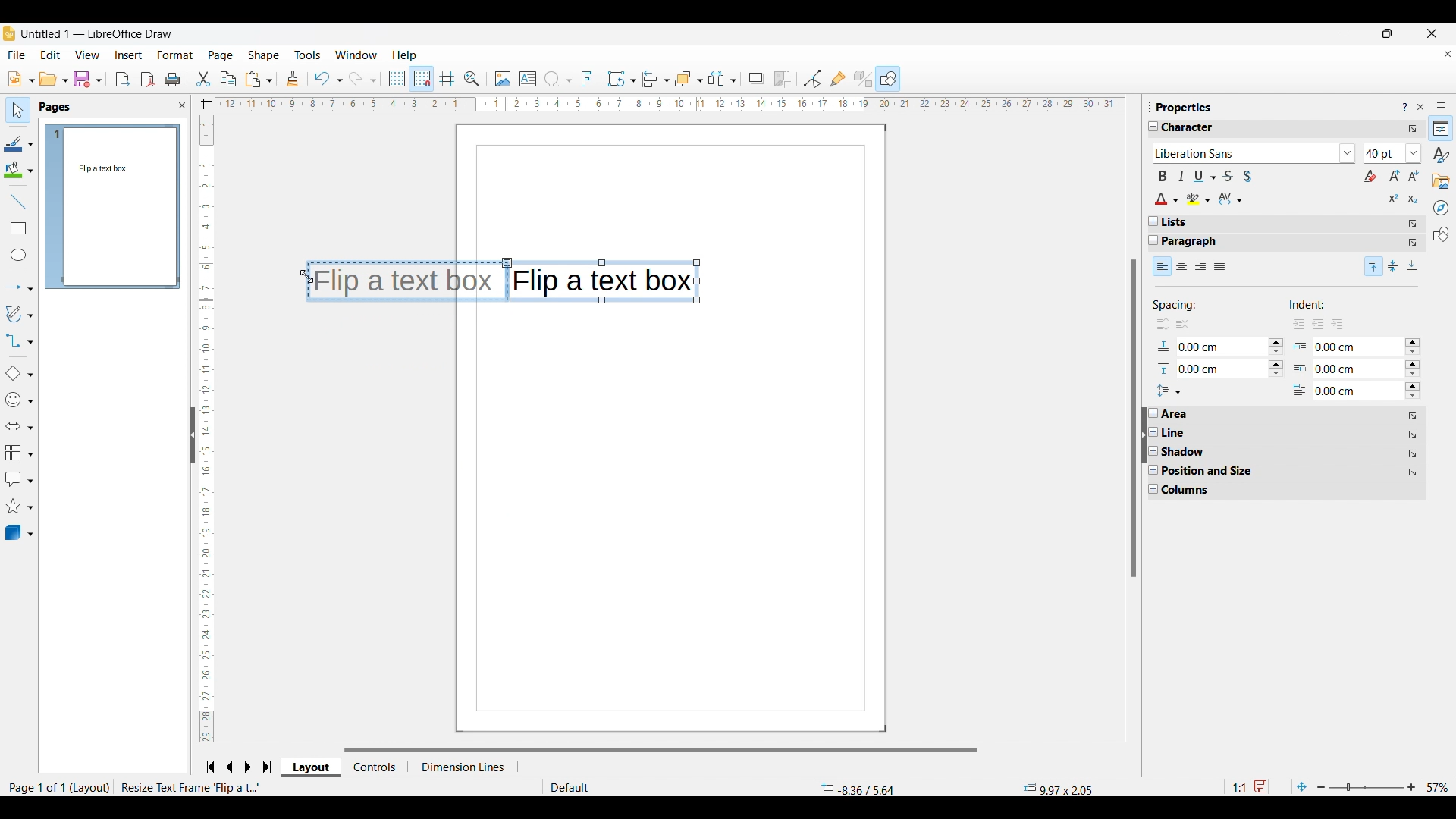  Describe the element at coordinates (1367, 787) in the screenshot. I see `Page zoom slider` at that location.